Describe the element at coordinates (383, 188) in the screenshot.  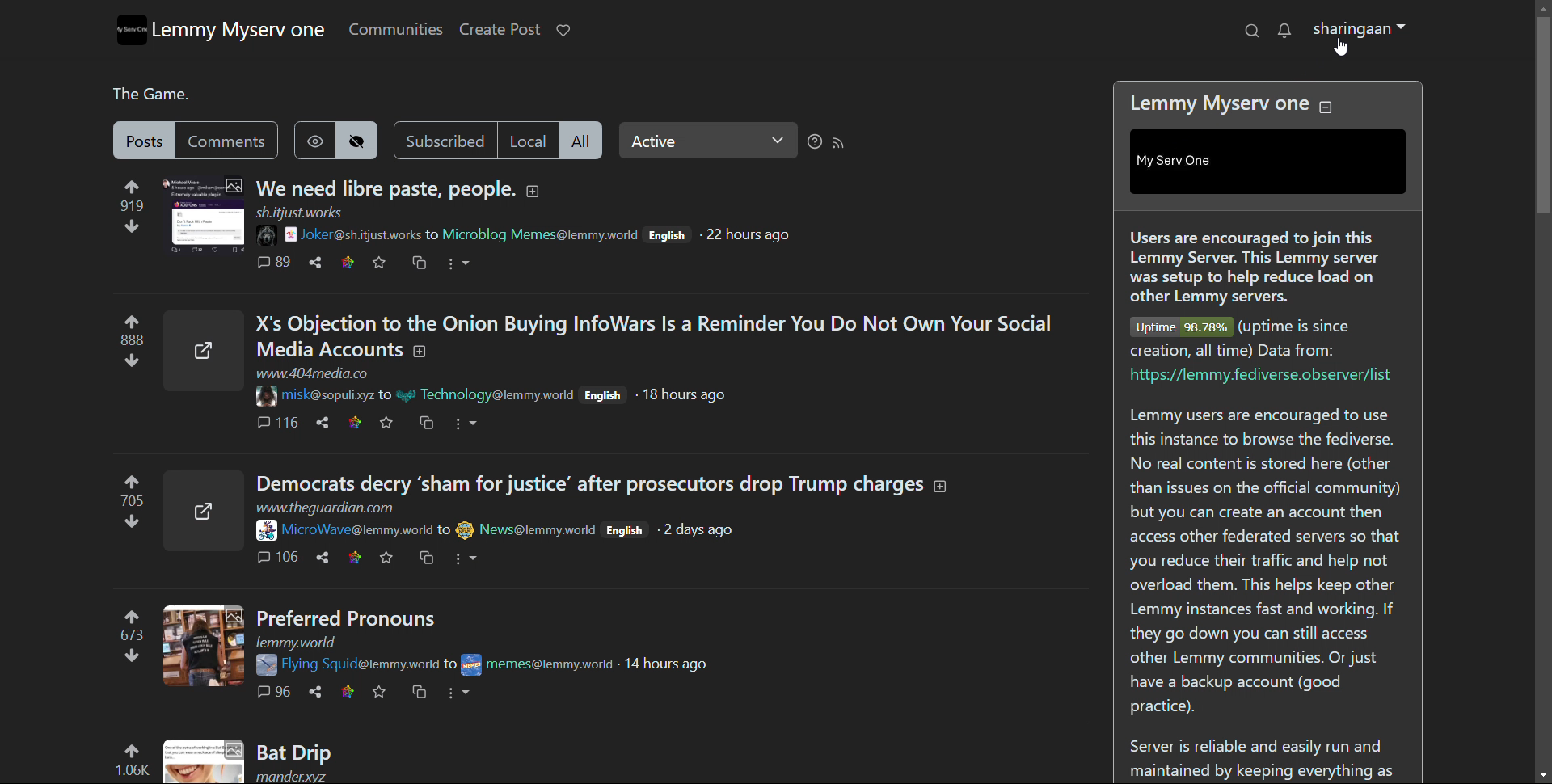
I see `We need libre paste, people.` at that location.